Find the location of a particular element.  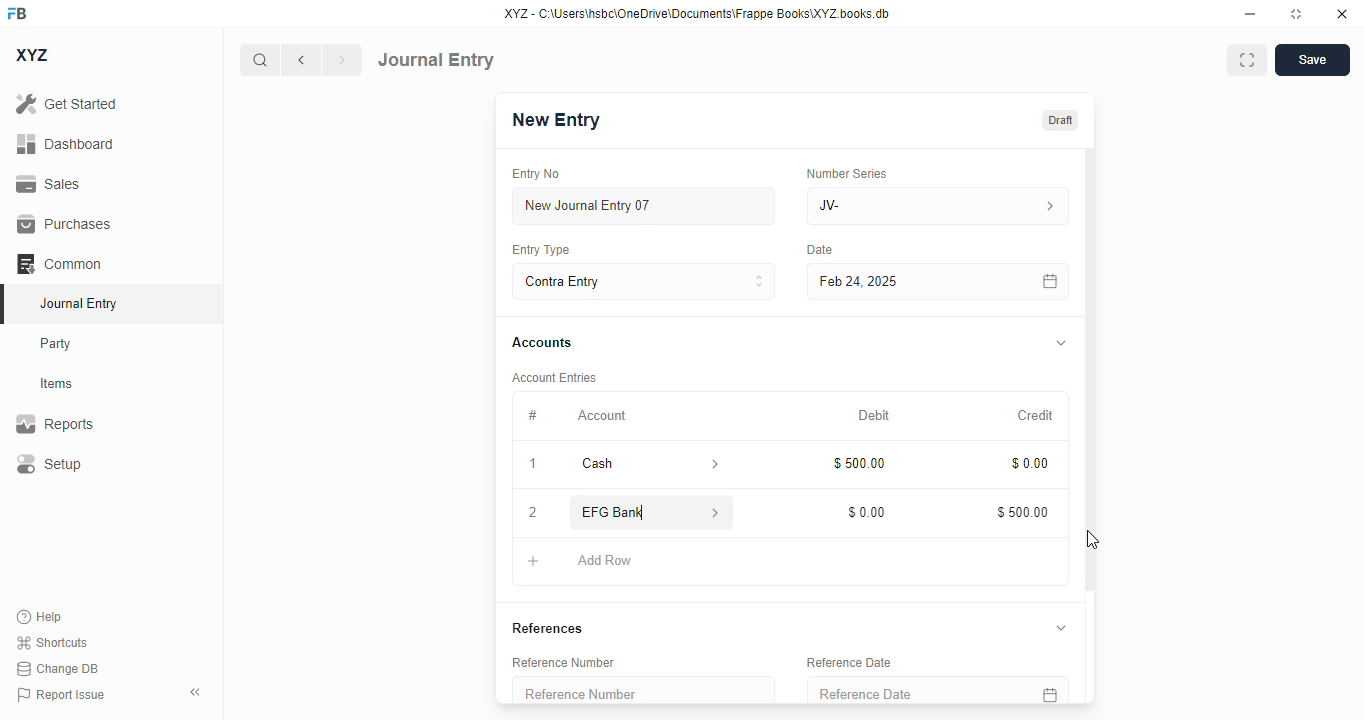

get started is located at coordinates (67, 104).